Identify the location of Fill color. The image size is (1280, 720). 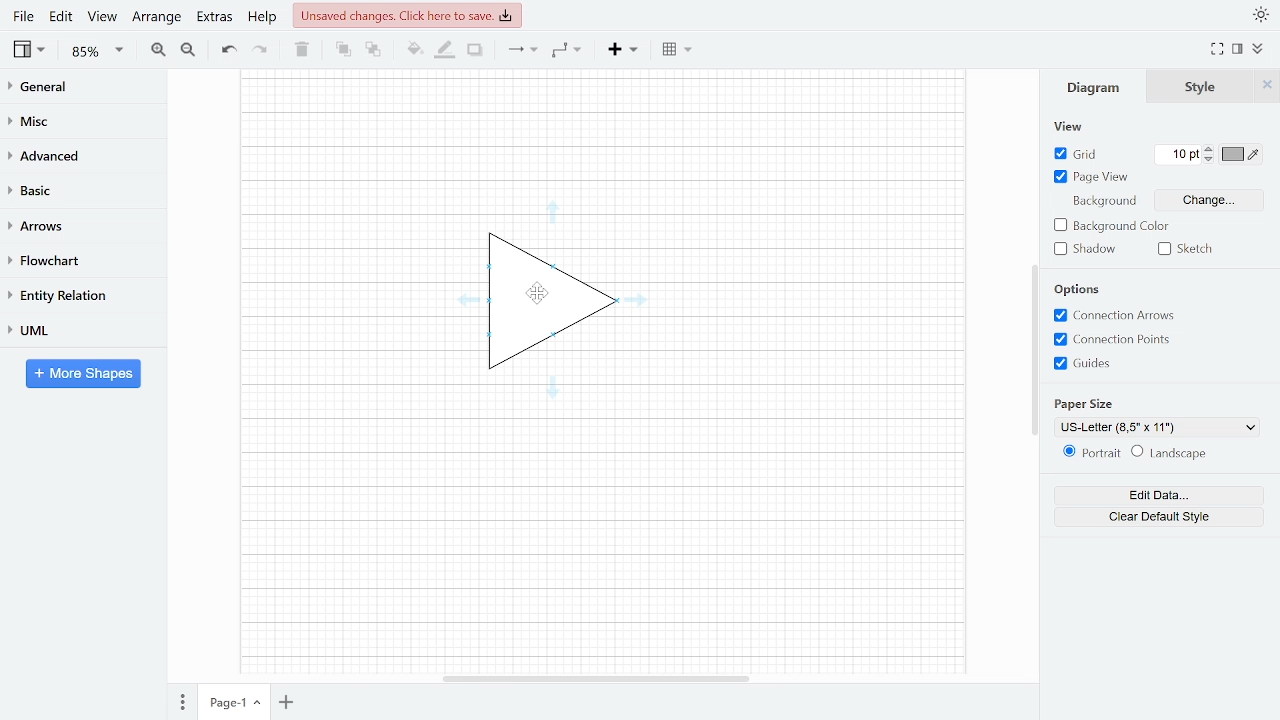
(413, 49).